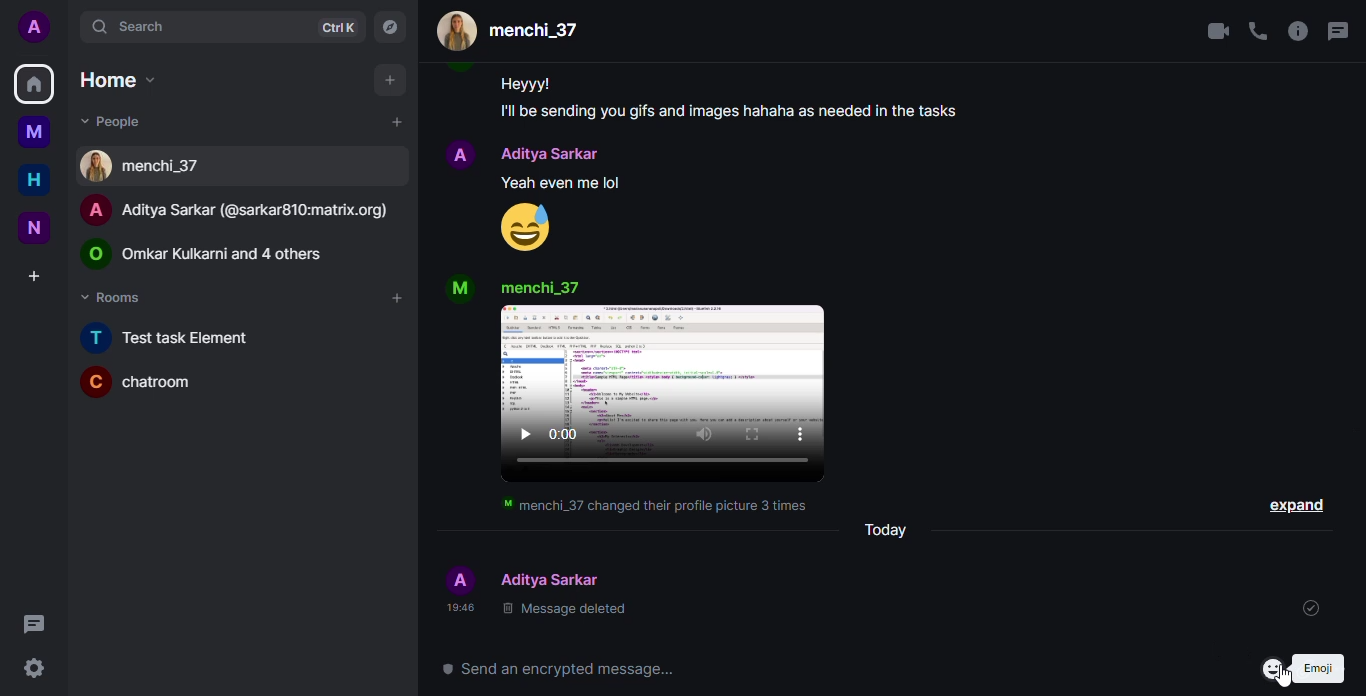 The image size is (1366, 696). What do you see at coordinates (455, 608) in the screenshot?
I see `time` at bounding box center [455, 608].